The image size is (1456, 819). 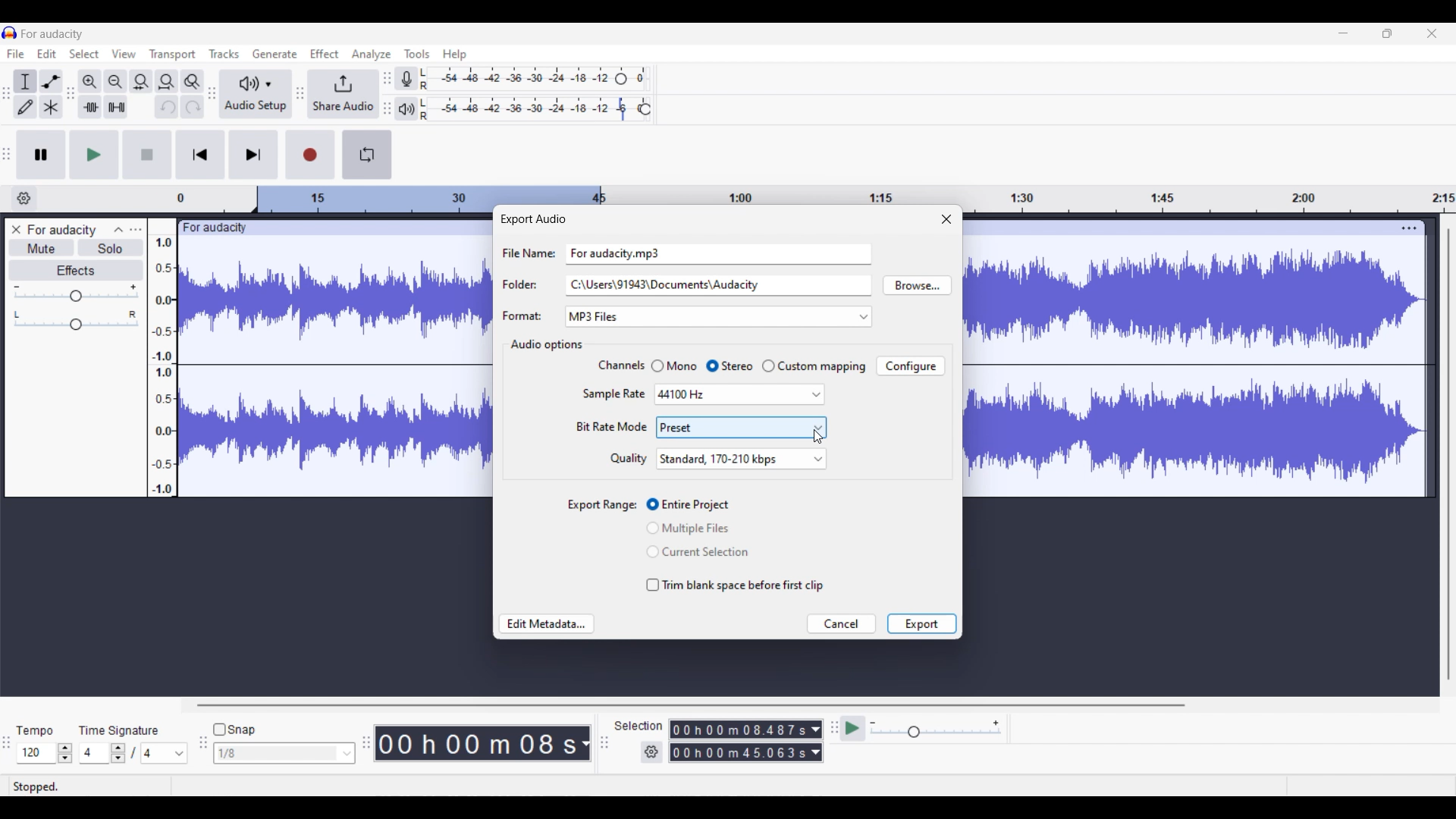 What do you see at coordinates (406, 109) in the screenshot?
I see `Playback meter` at bounding box center [406, 109].